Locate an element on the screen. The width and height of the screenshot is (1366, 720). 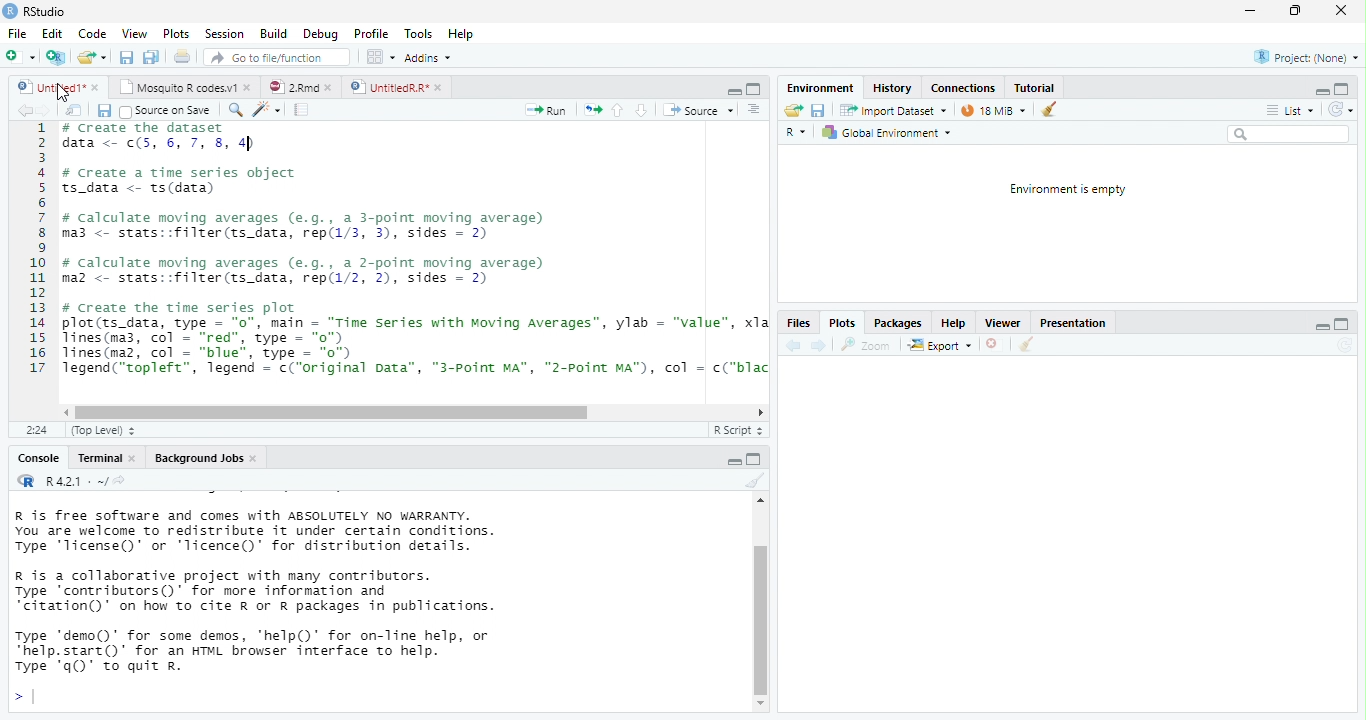
Code is located at coordinates (93, 33).